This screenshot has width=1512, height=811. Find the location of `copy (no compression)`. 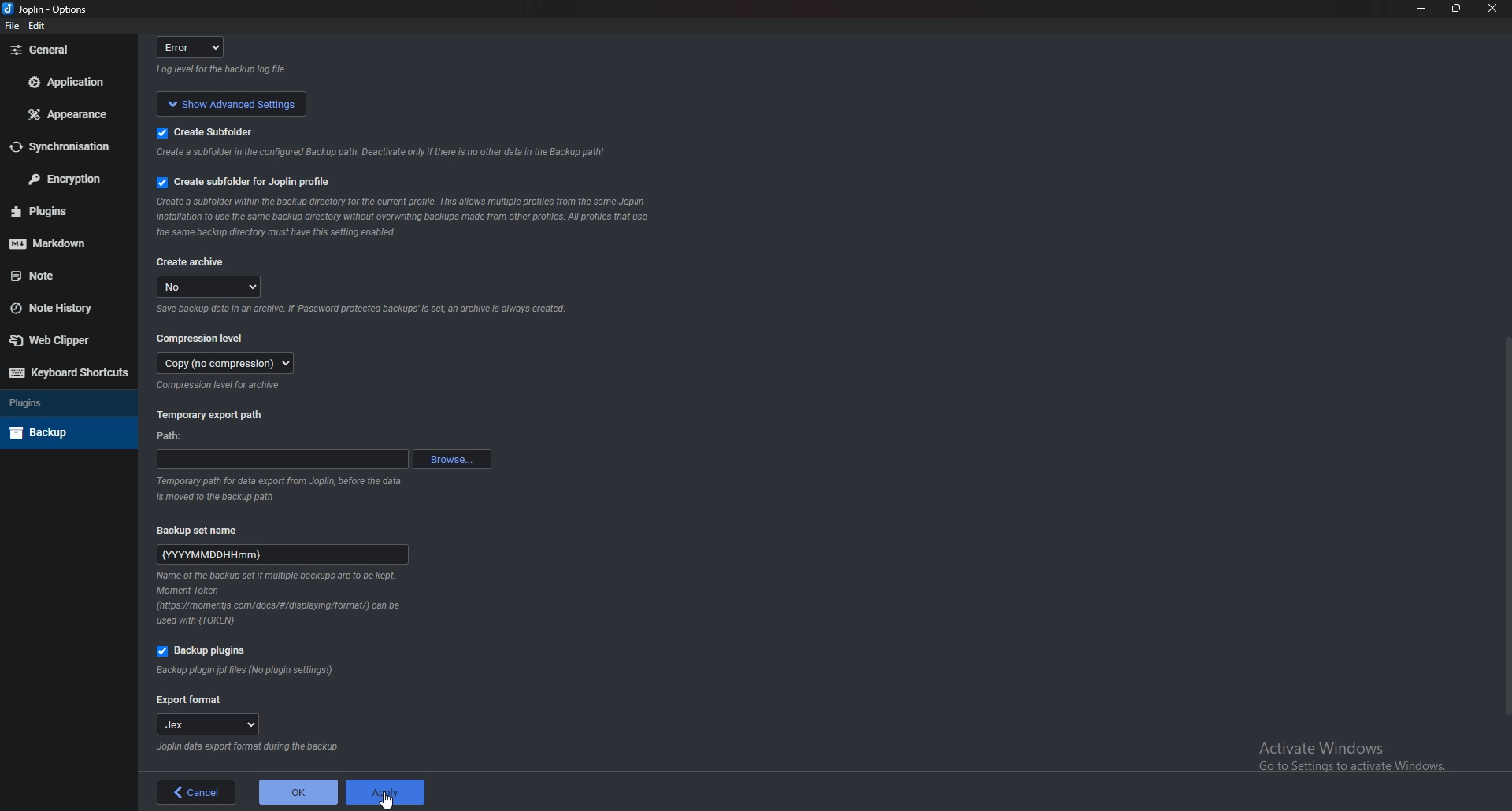

copy (no compression) is located at coordinates (226, 363).